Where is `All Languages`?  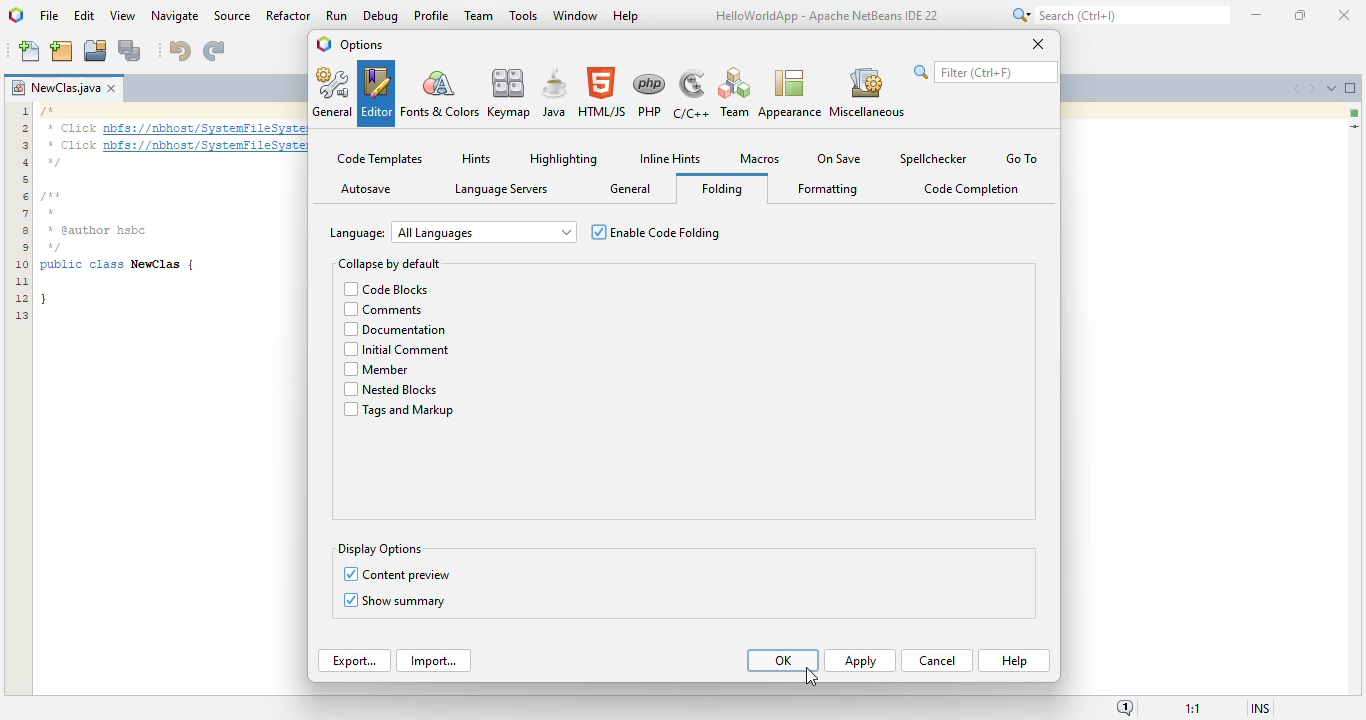
All Languages is located at coordinates (484, 231).